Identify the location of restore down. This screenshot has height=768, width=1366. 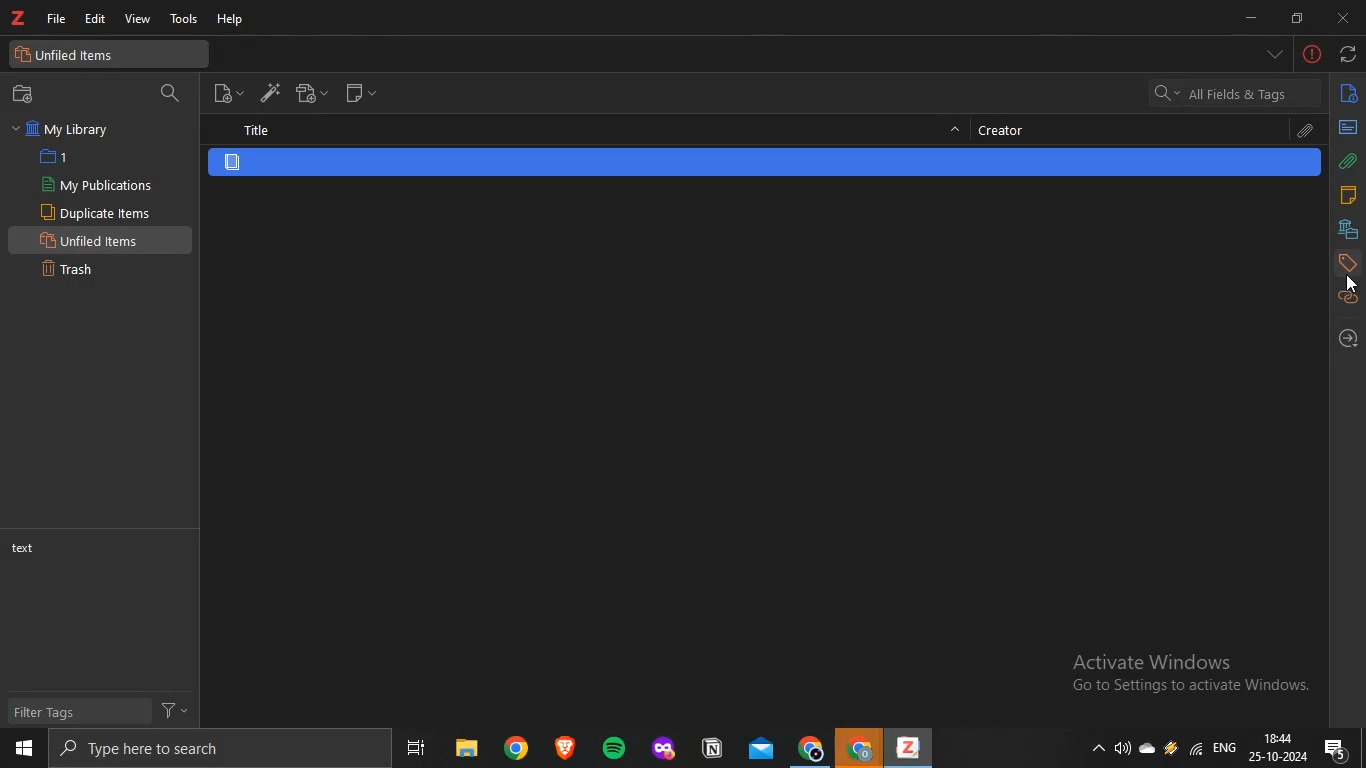
(1300, 18).